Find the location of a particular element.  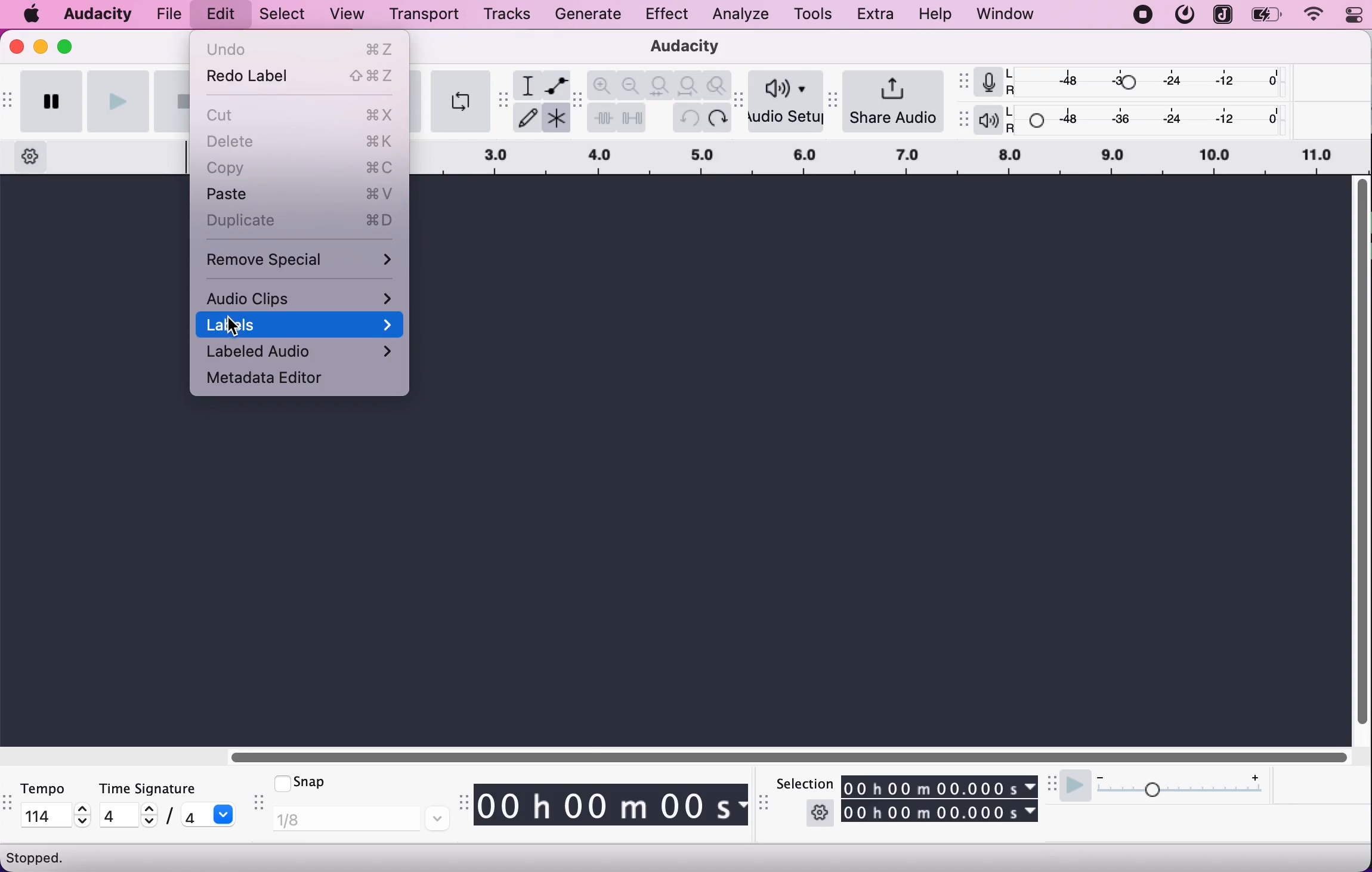

audacity edit tool bar is located at coordinates (578, 101).